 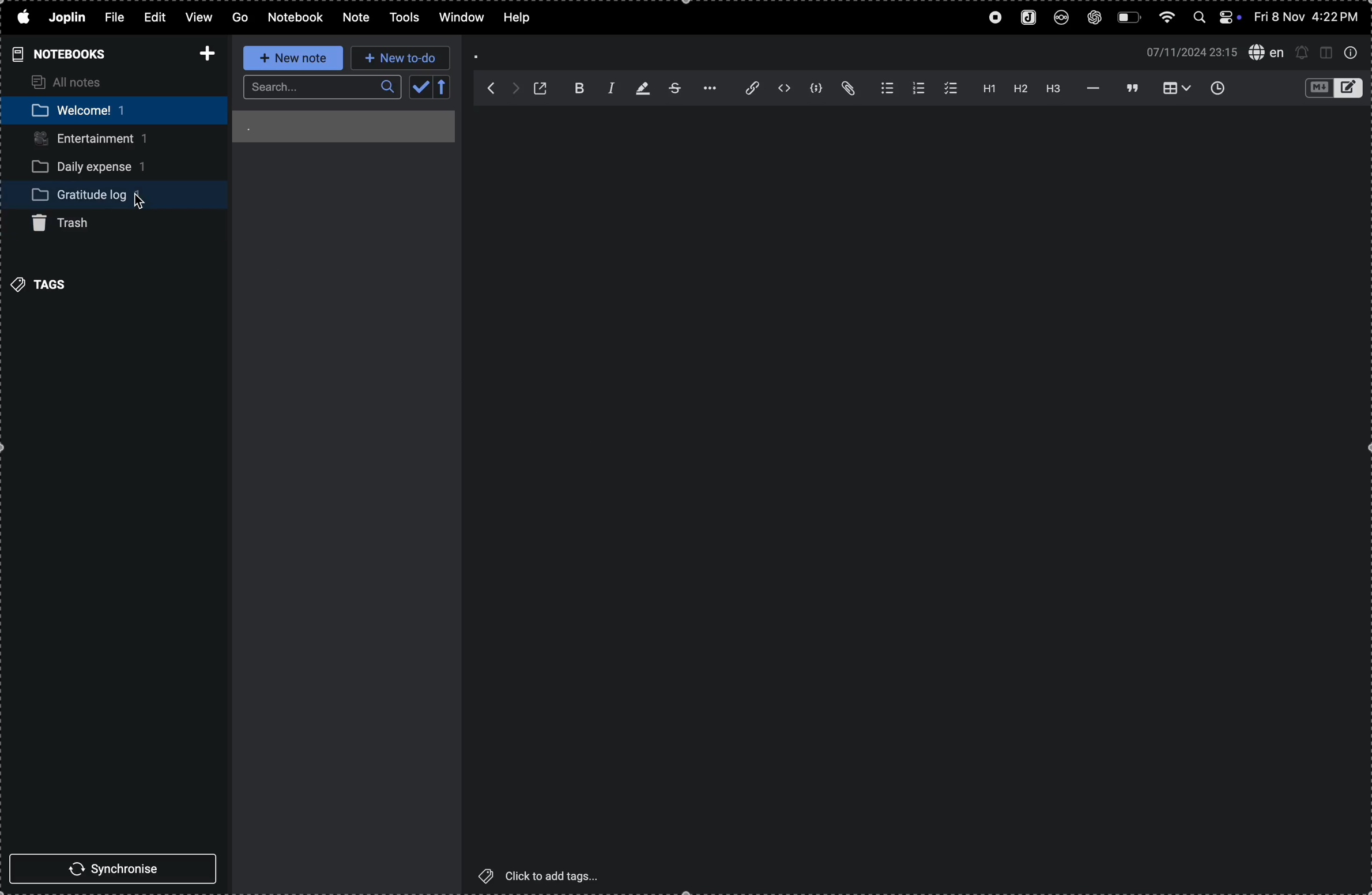 I want to click on open window, so click(x=542, y=88).